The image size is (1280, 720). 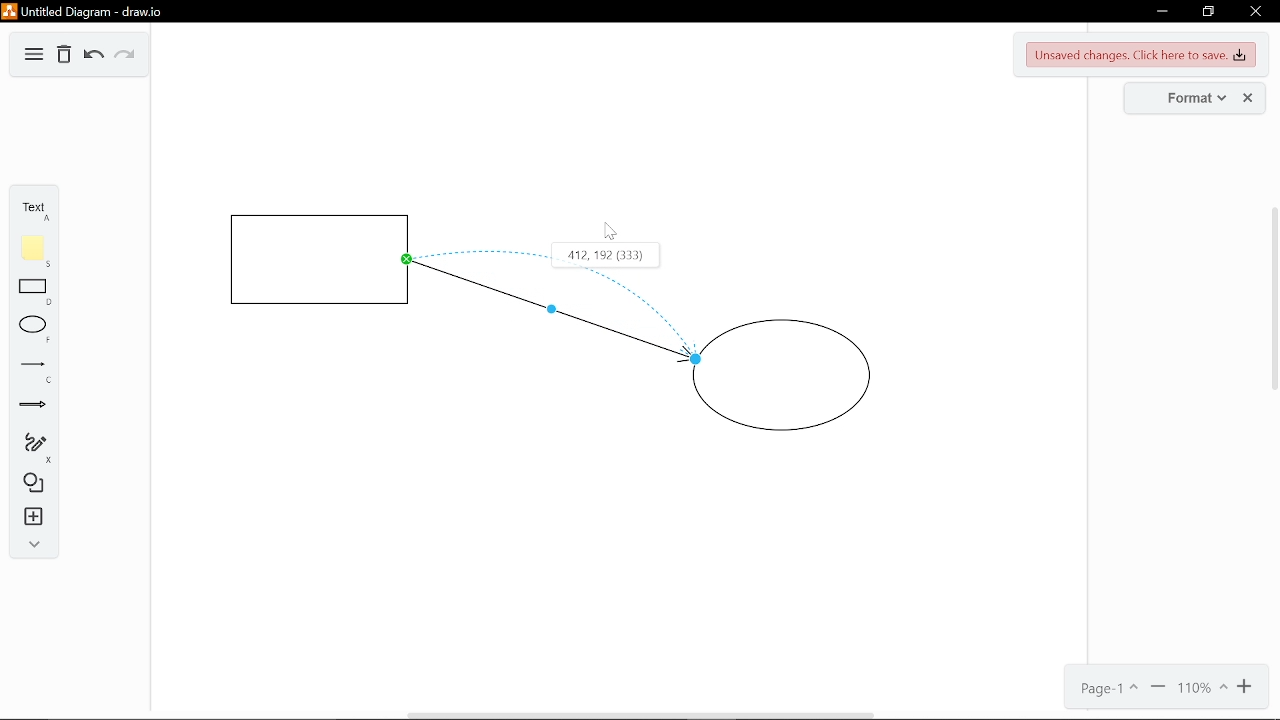 What do you see at coordinates (82, 10) in the screenshot?
I see `Untitled Diagram-draw.io` at bounding box center [82, 10].